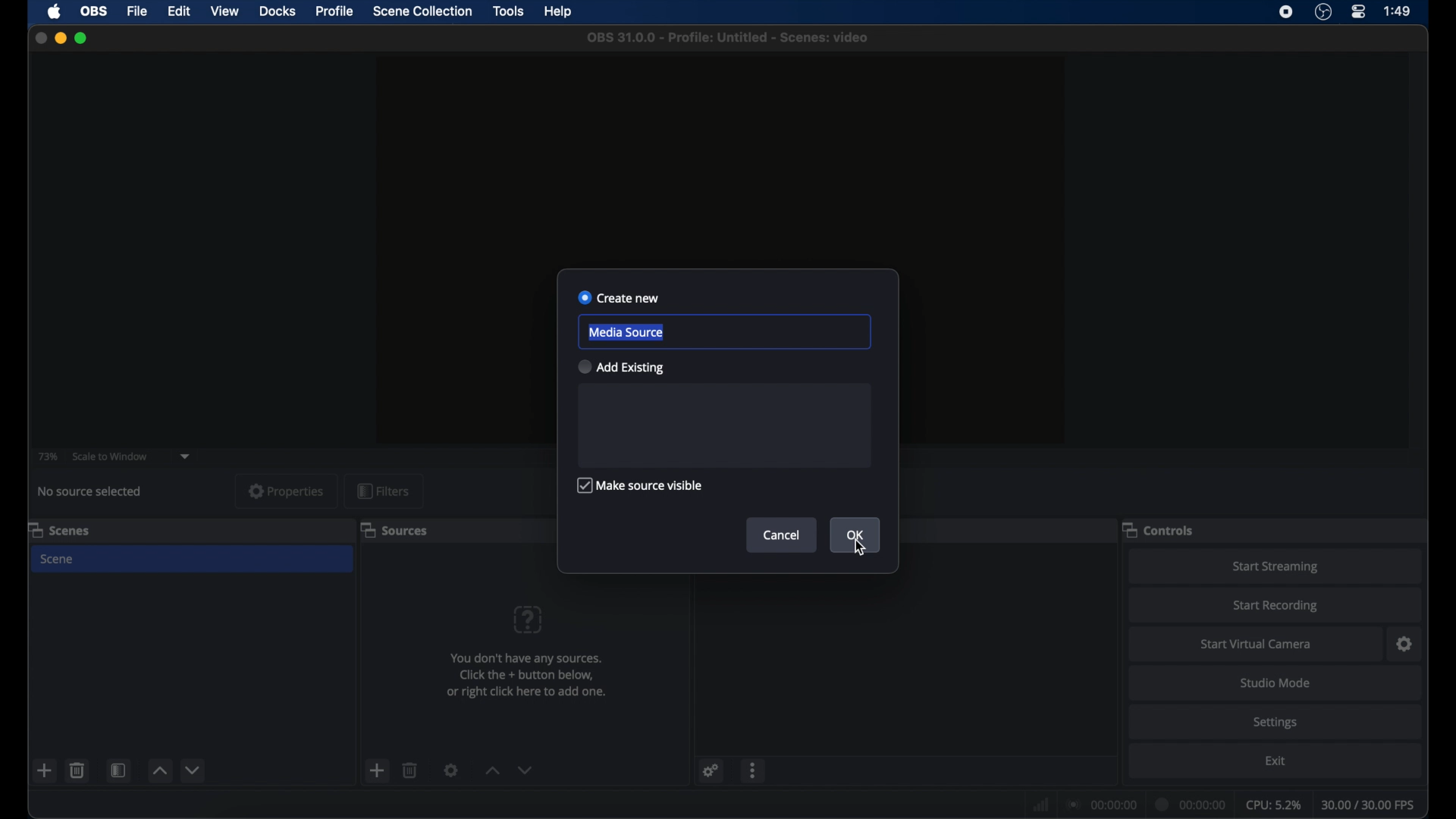  Describe the element at coordinates (1368, 805) in the screenshot. I see `fps` at that location.